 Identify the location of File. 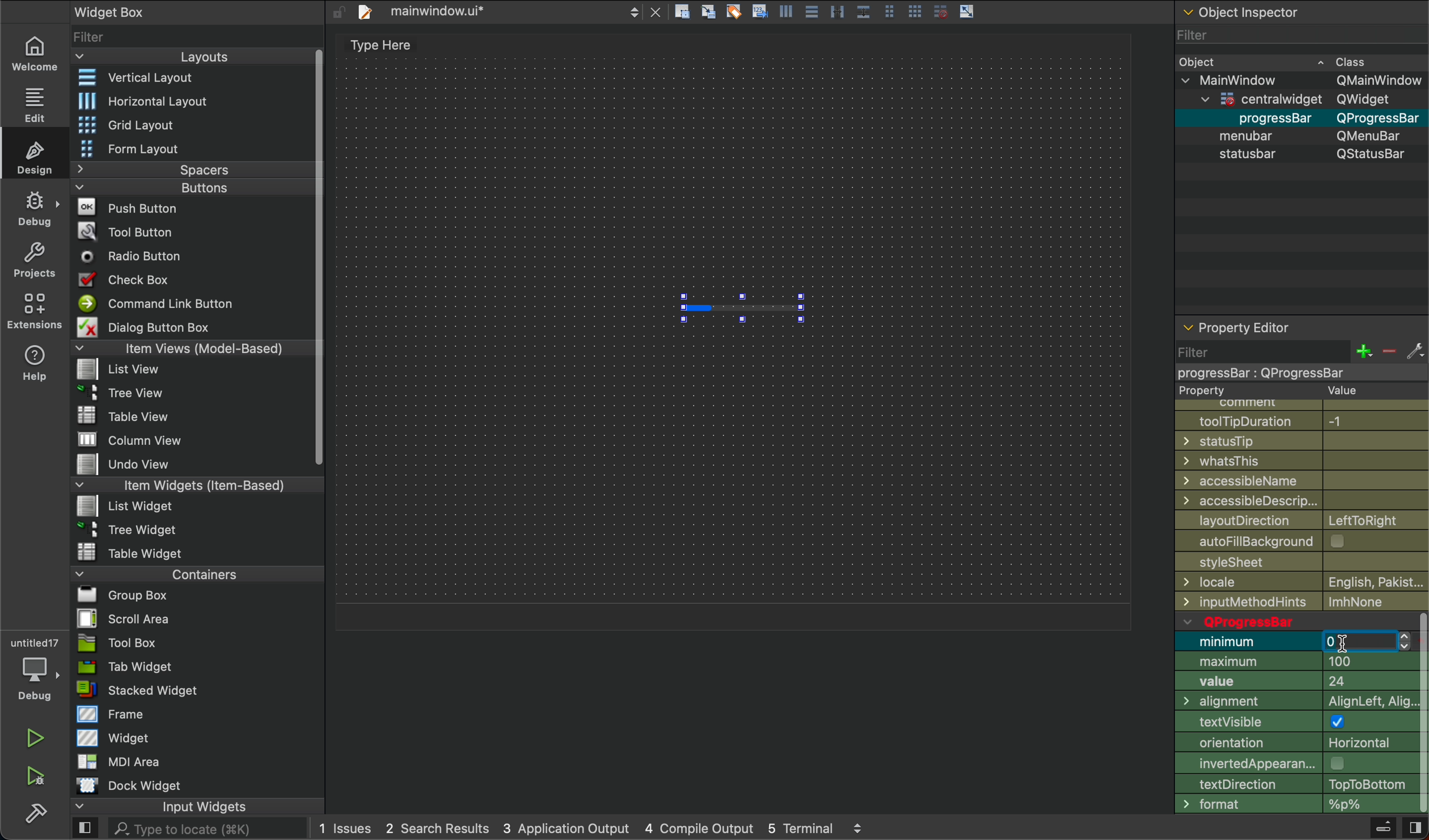
(123, 370).